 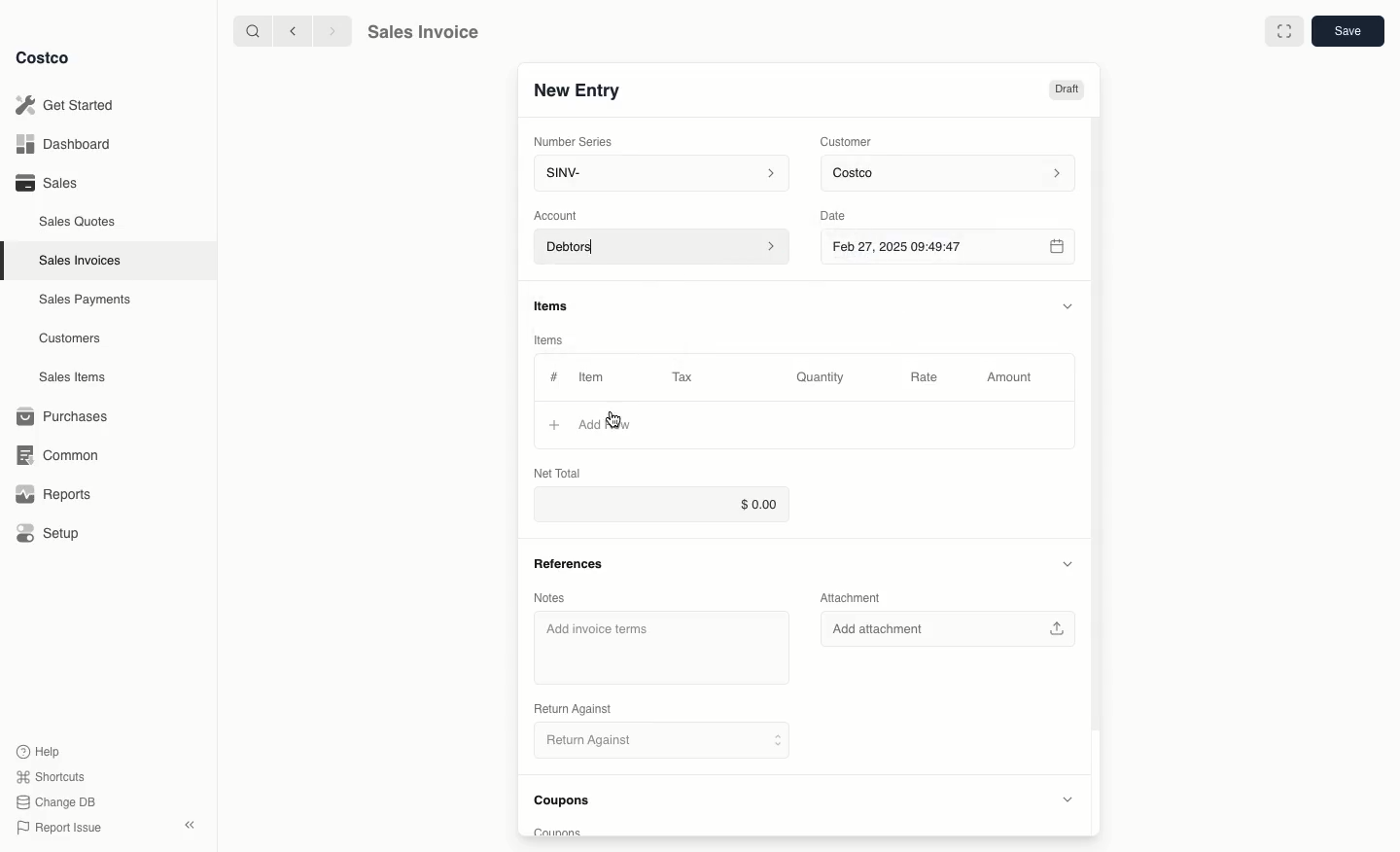 I want to click on search, so click(x=249, y=30).